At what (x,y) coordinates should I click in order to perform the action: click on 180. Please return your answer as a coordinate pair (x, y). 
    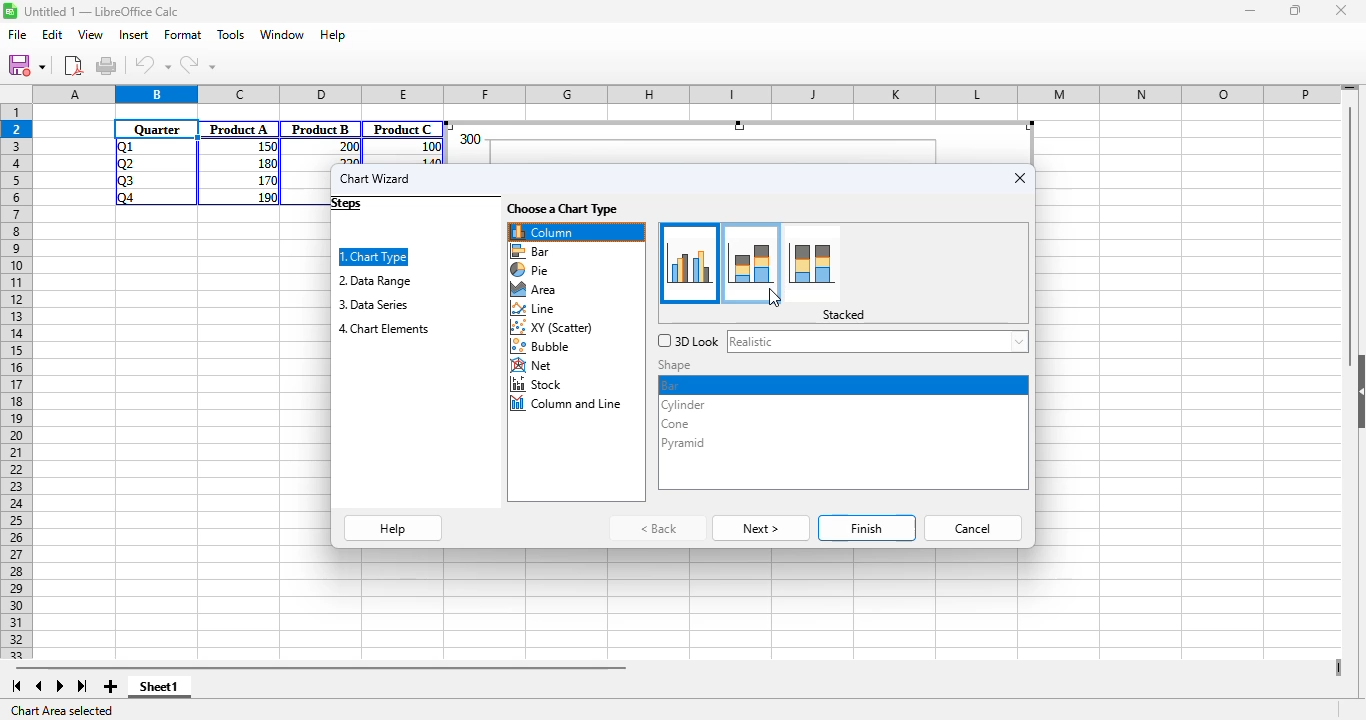
    Looking at the image, I should click on (265, 162).